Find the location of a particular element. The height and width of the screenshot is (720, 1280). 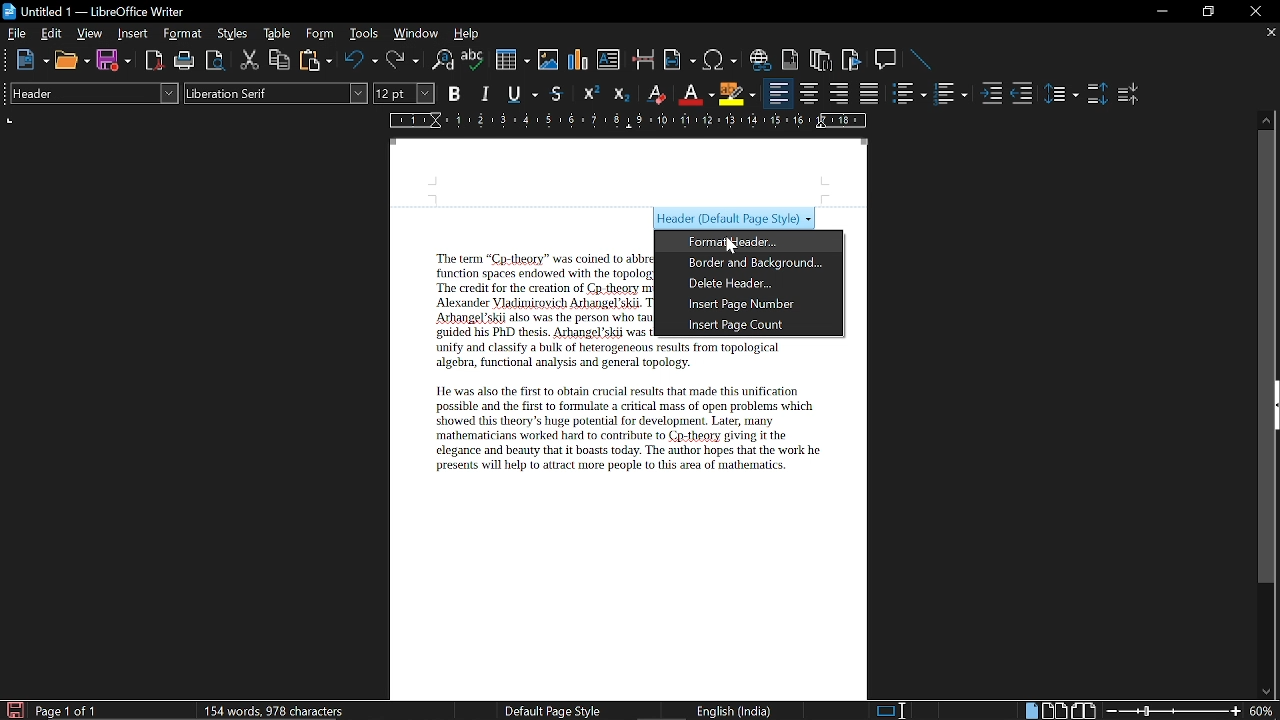

Header style is located at coordinates (734, 220).